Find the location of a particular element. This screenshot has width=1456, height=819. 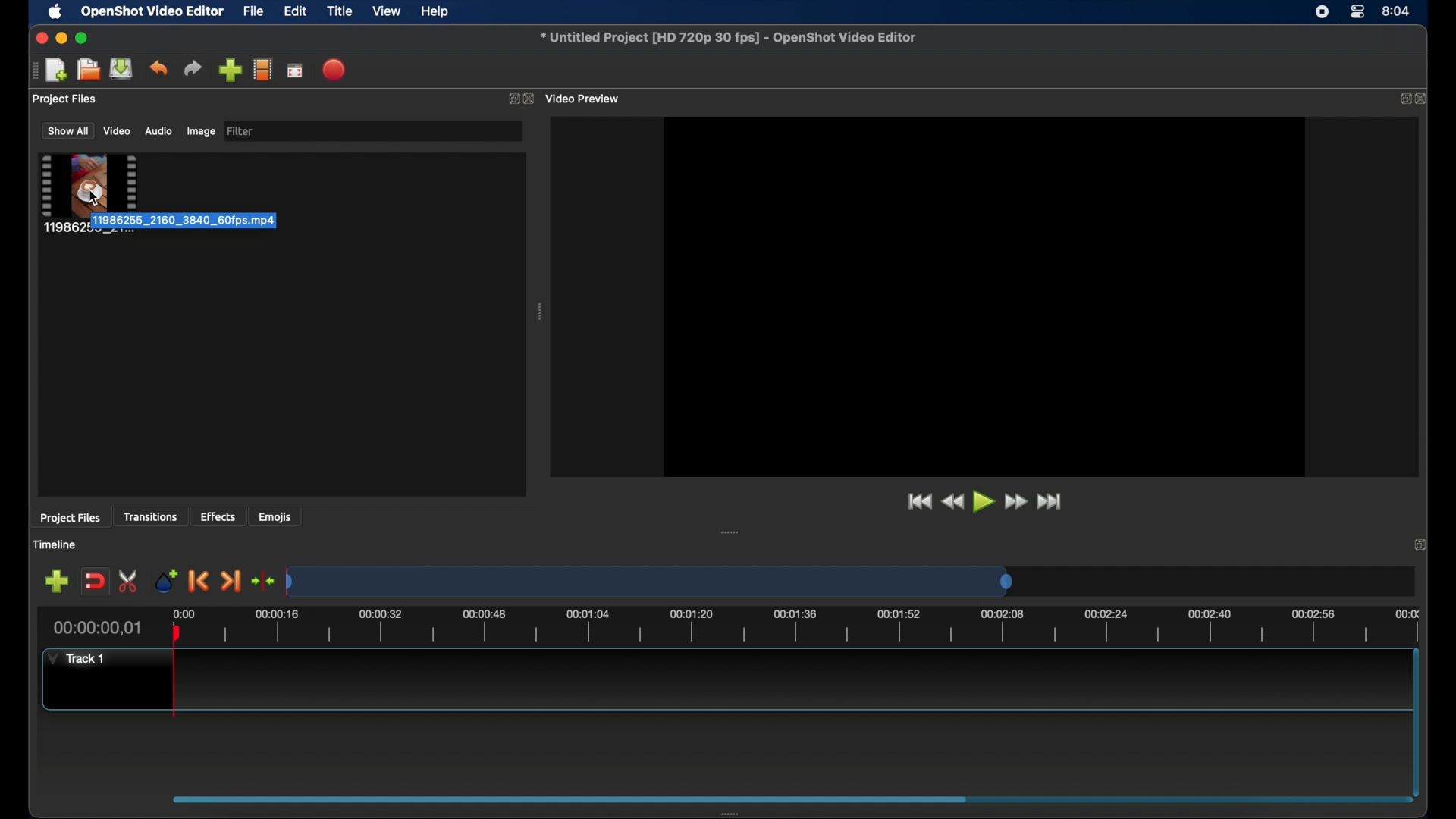

project files is located at coordinates (71, 519).